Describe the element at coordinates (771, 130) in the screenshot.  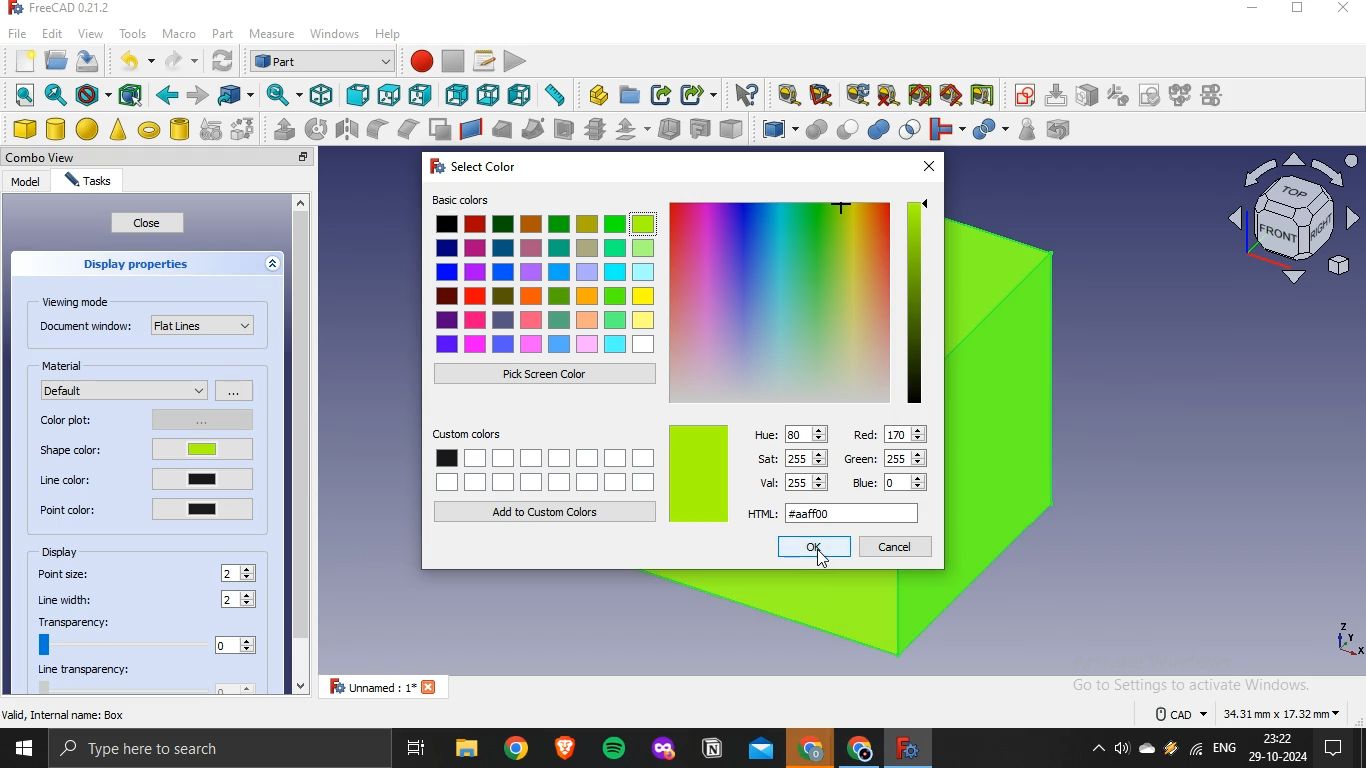
I see `compound tools` at that location.